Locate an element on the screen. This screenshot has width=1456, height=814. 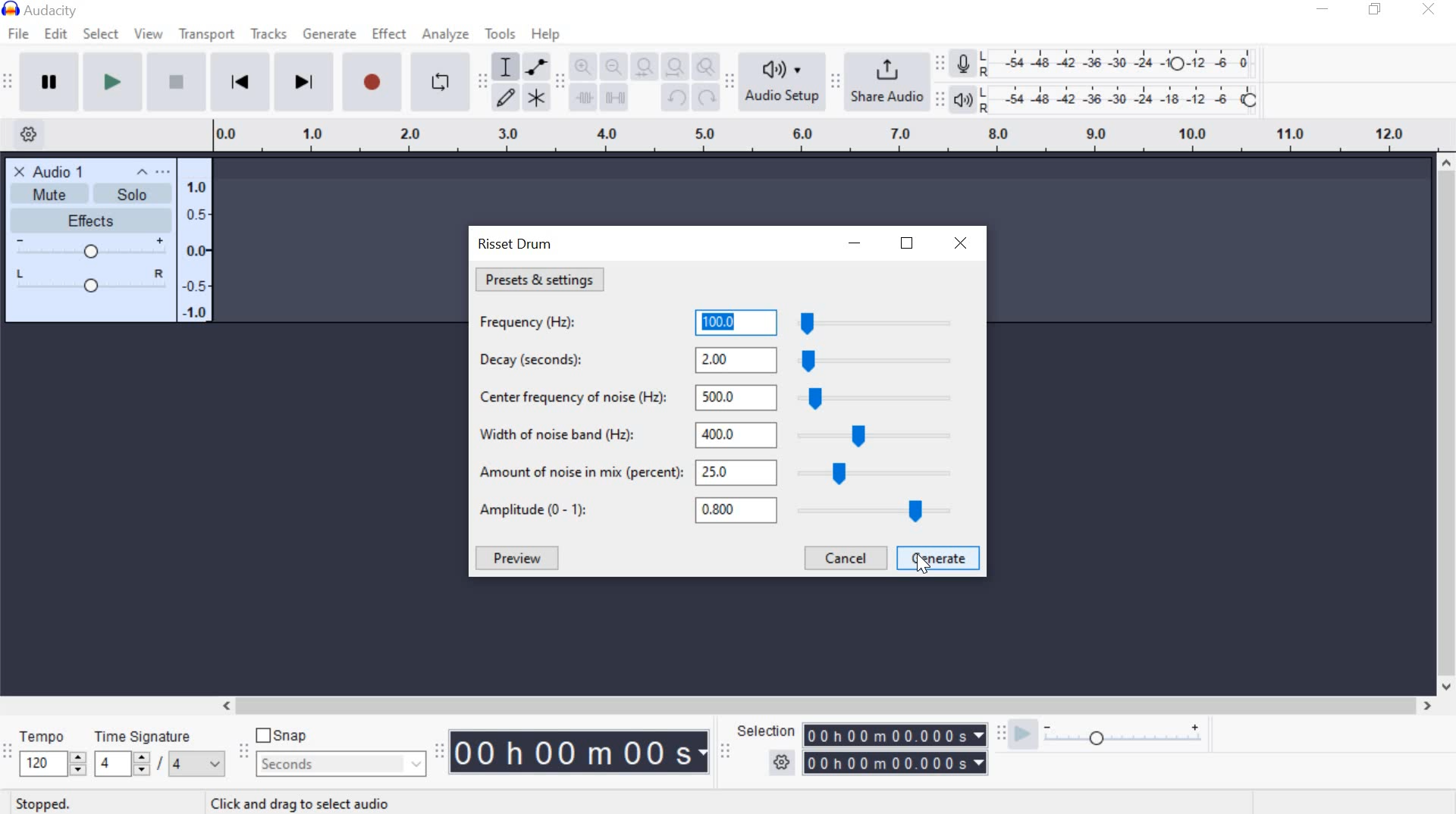
Zoom Out is located at coordinates (610, 66).